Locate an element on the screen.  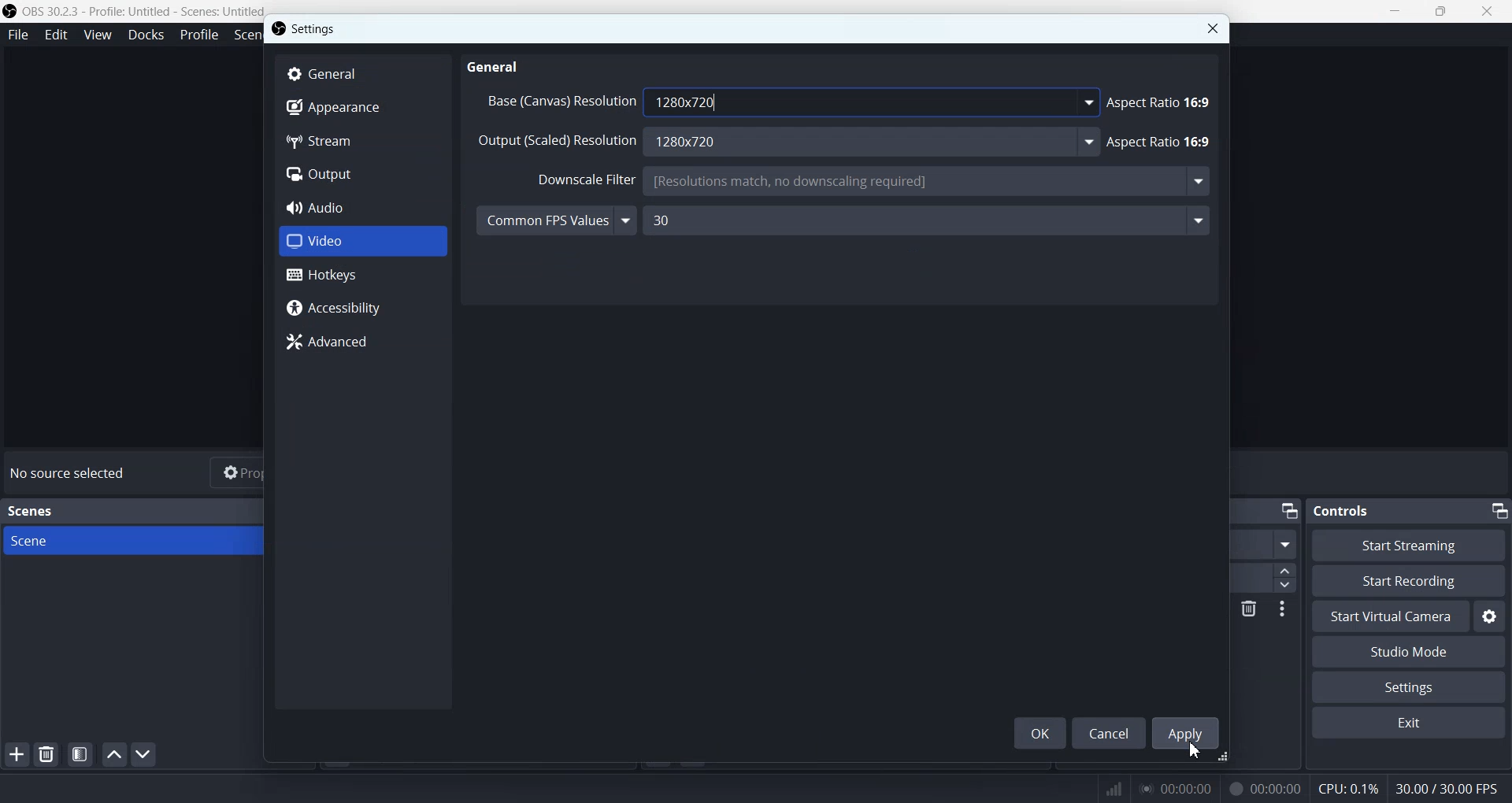
Downscale Filter Bicubic (Sharpened scaling, 16 samples) is located at coordinates (862, 183).